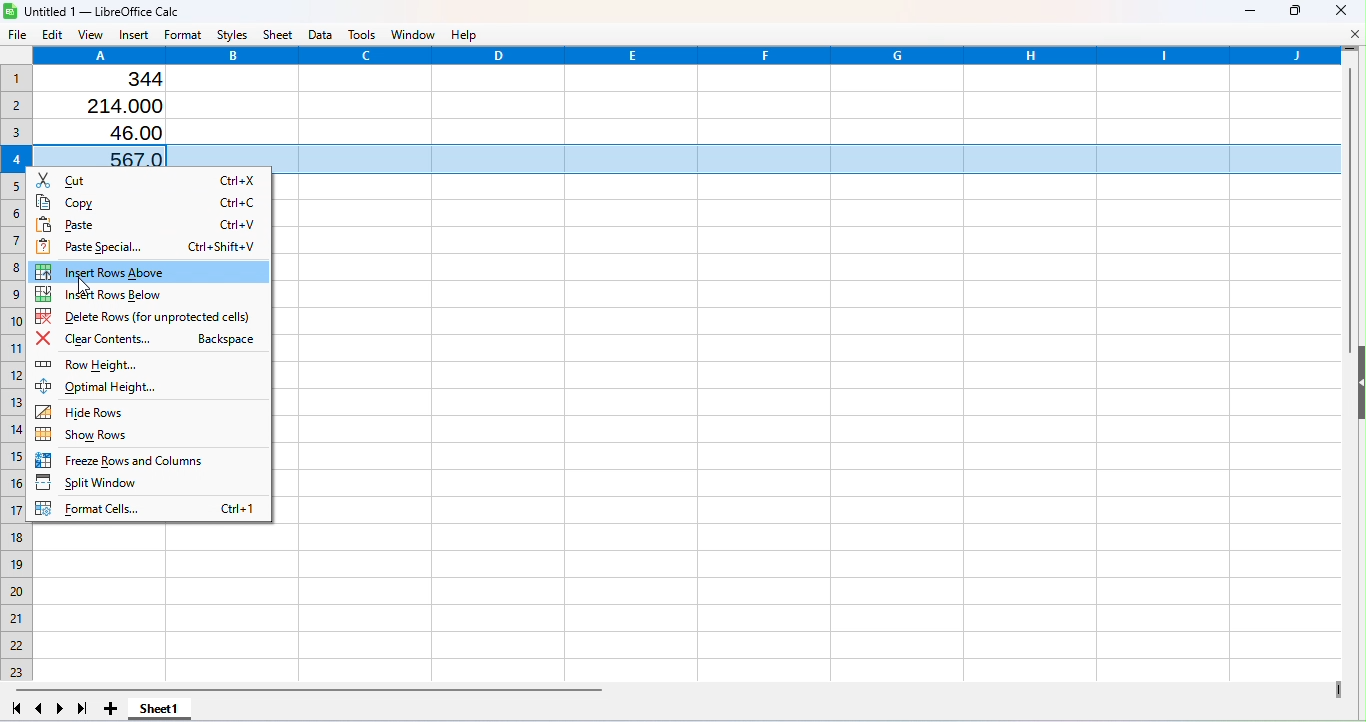  Describe the element at coordinates (92, 36) in the screenshot. I see `View` at that location.